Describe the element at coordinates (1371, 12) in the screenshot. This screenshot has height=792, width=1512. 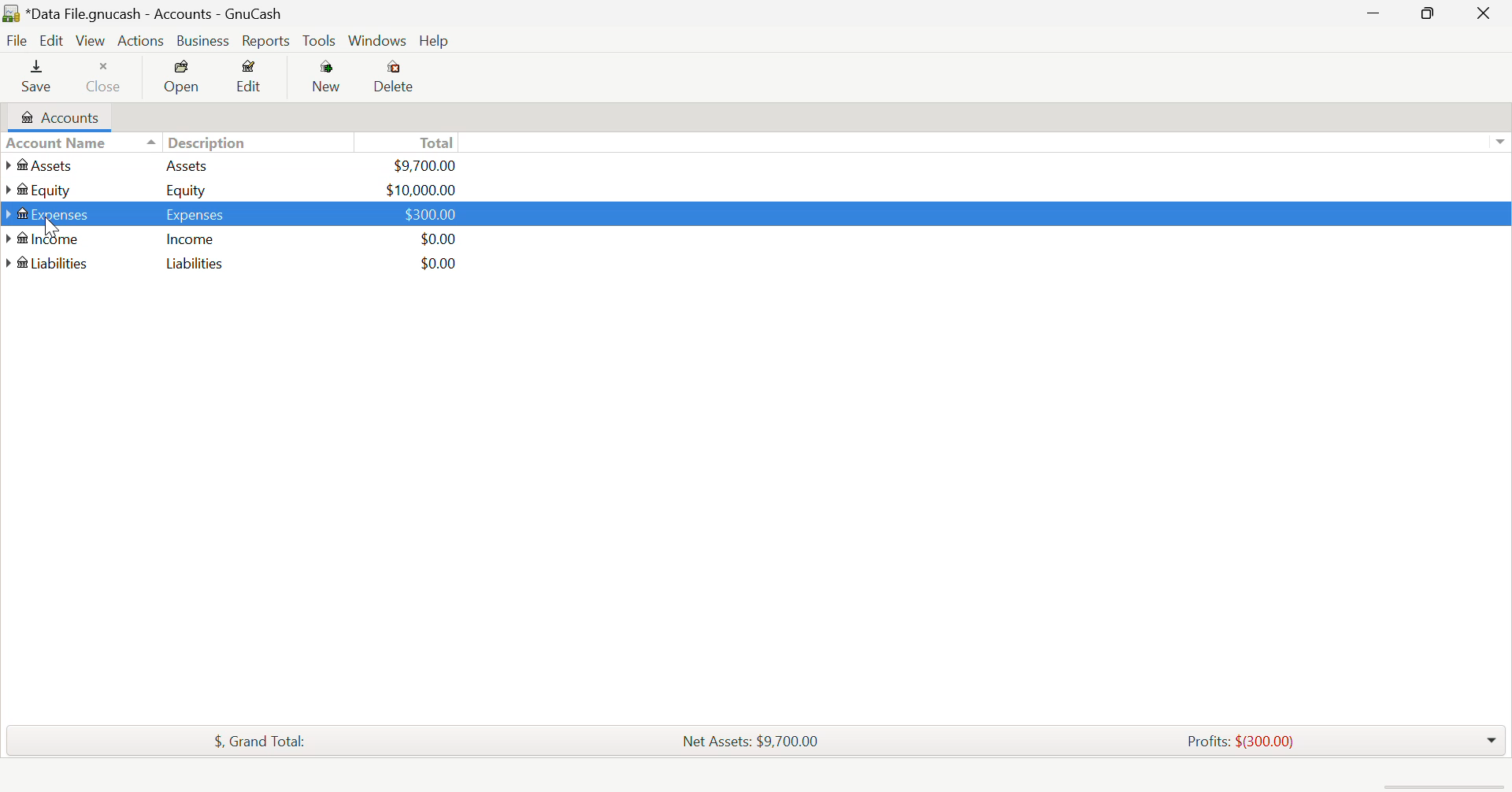
I see `Restore Down` at that location.